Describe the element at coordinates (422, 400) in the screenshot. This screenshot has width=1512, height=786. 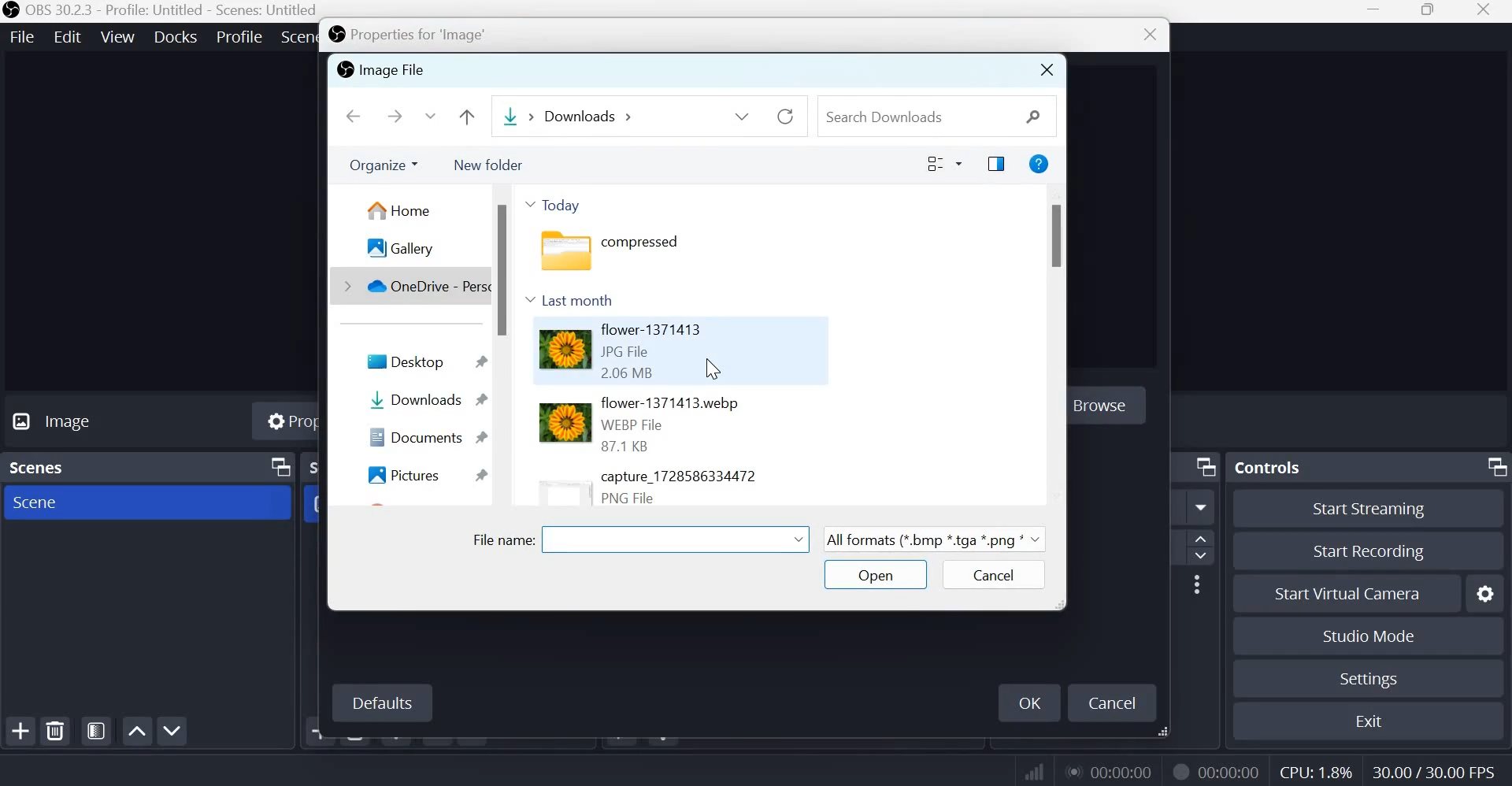
I see `Downloads` at that location.